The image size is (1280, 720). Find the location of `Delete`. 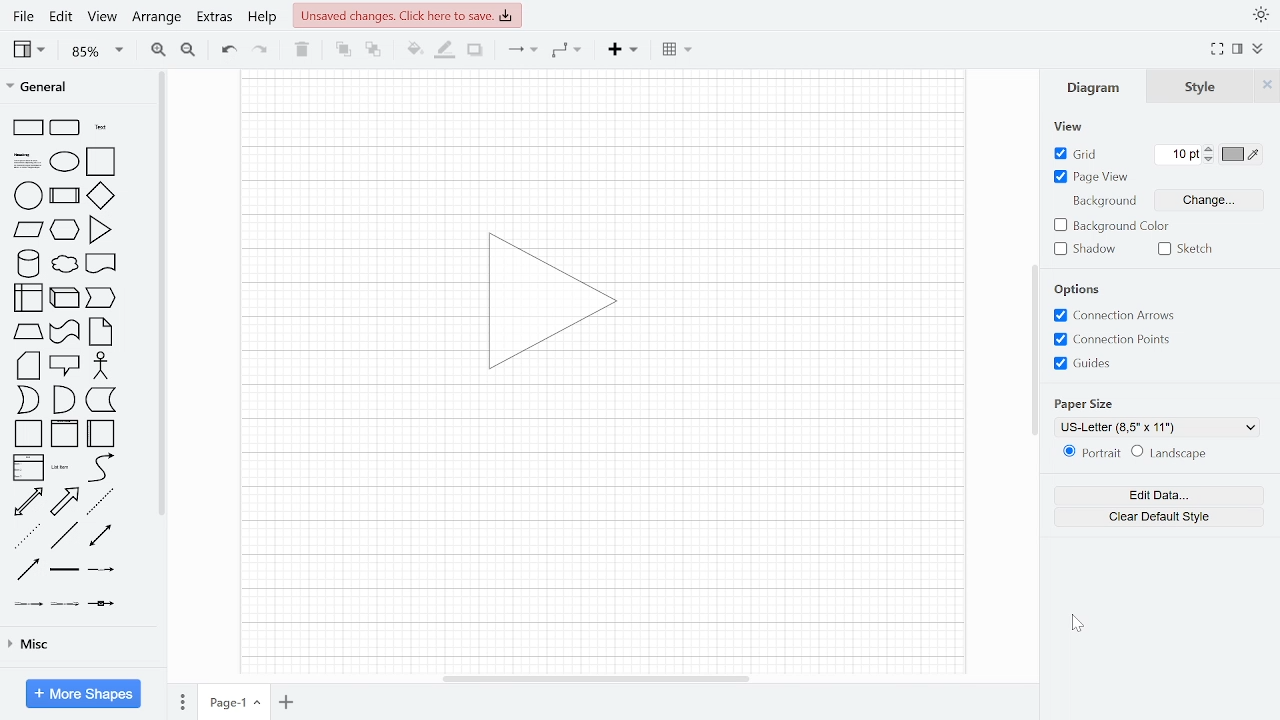

Delete is located at coordinates (302, 51).